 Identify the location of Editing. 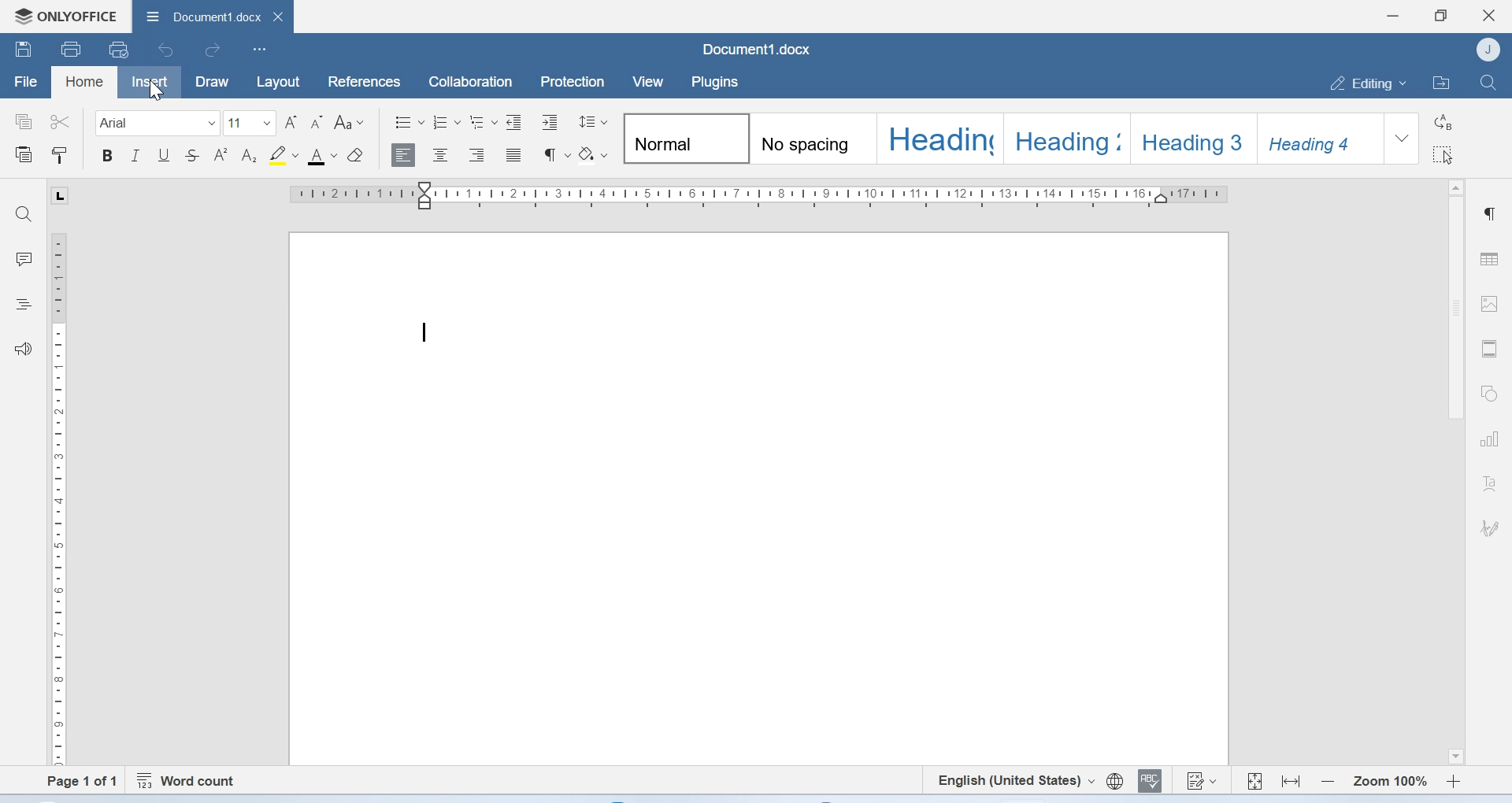
(1364, 82).